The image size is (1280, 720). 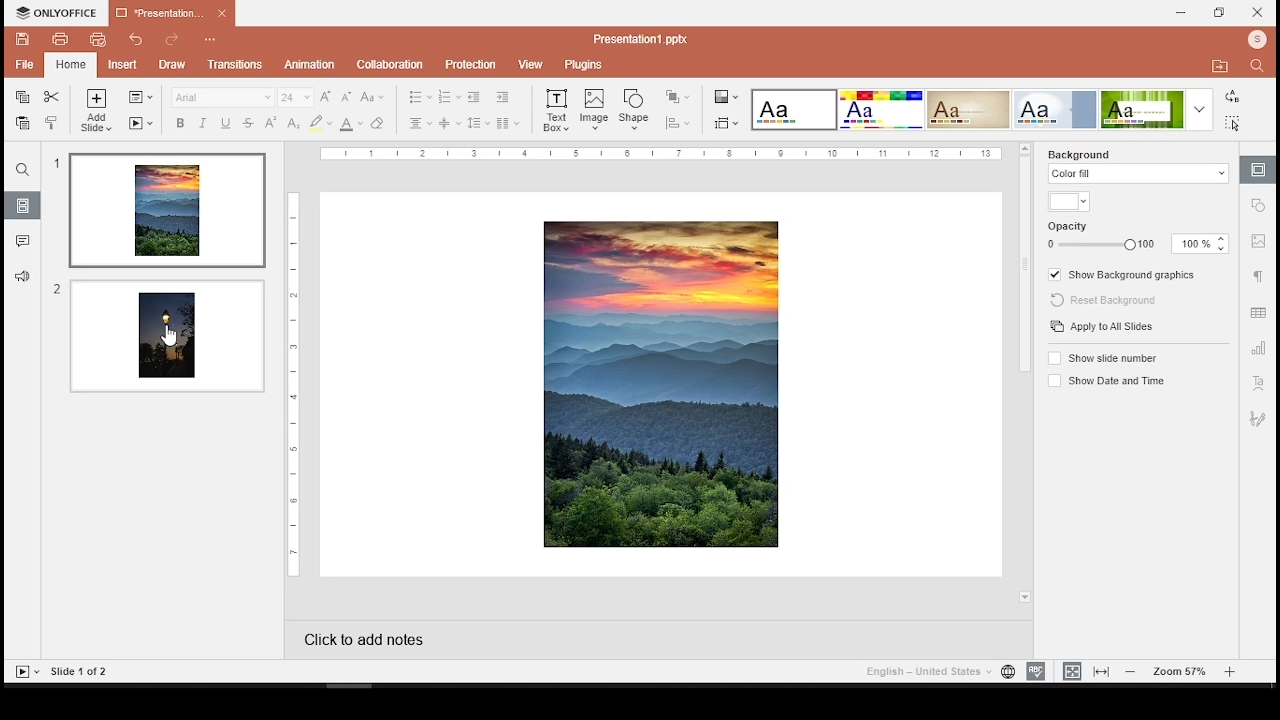 I want to click on search, so click(x=1260, y=69).